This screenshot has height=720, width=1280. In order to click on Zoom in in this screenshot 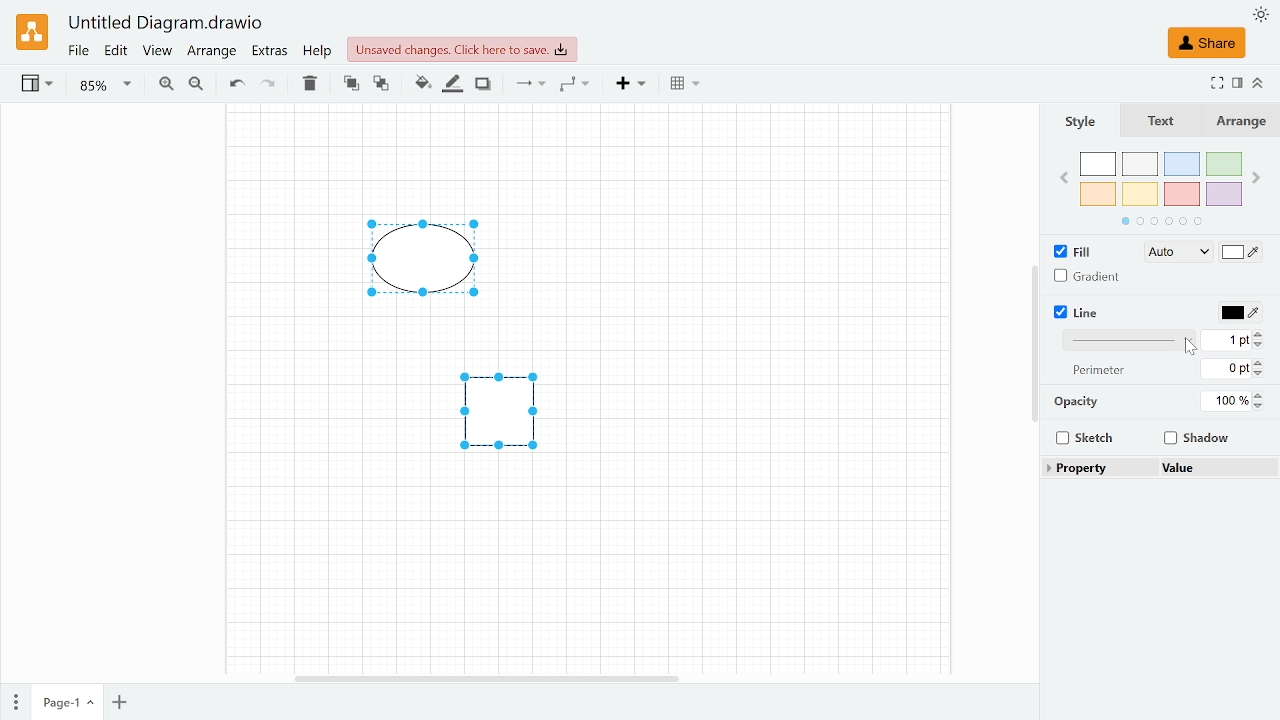, I will do `click(166, 84)`.